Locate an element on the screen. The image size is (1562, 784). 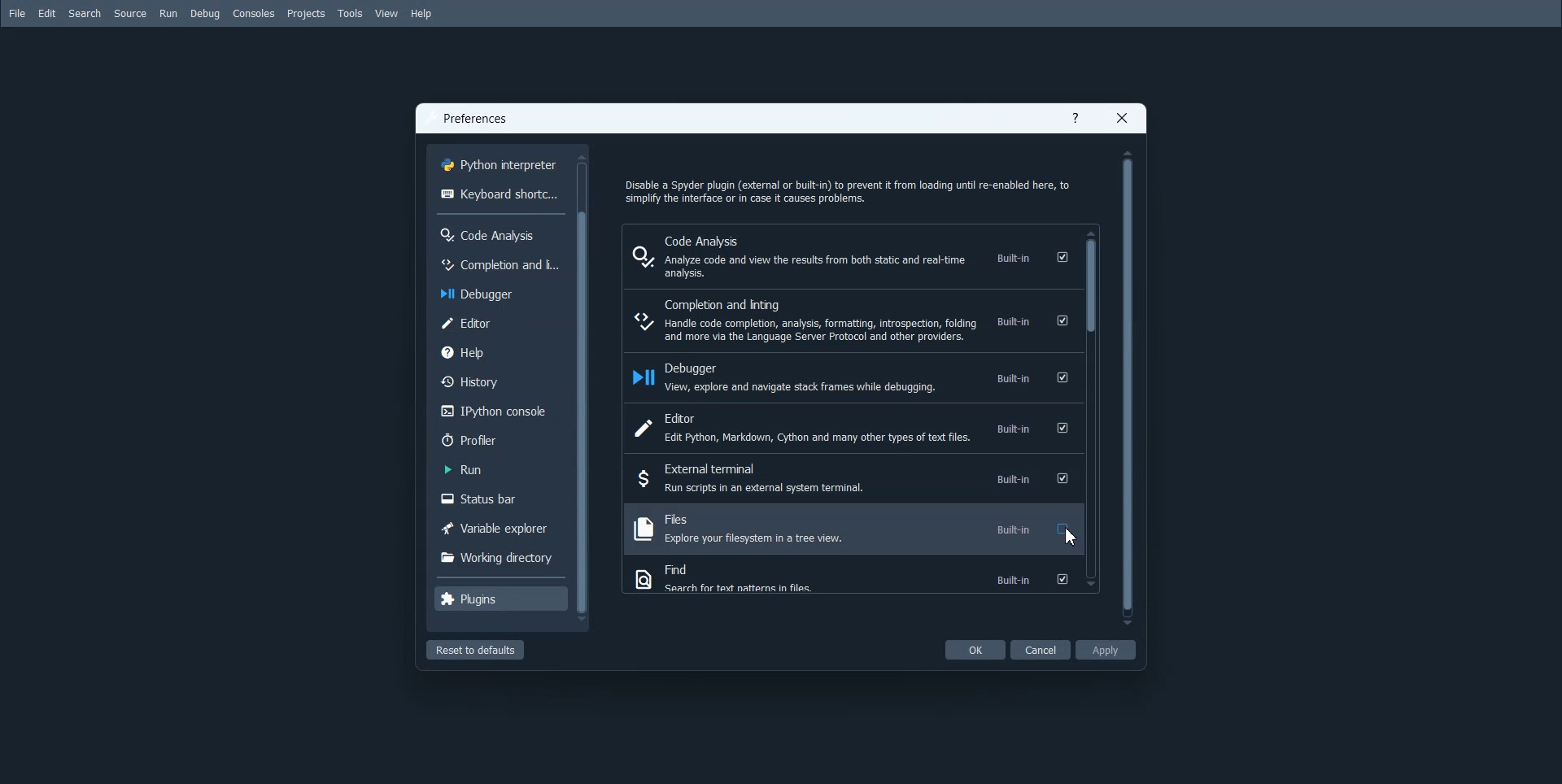
Projects is located at coordinates (305, 14).